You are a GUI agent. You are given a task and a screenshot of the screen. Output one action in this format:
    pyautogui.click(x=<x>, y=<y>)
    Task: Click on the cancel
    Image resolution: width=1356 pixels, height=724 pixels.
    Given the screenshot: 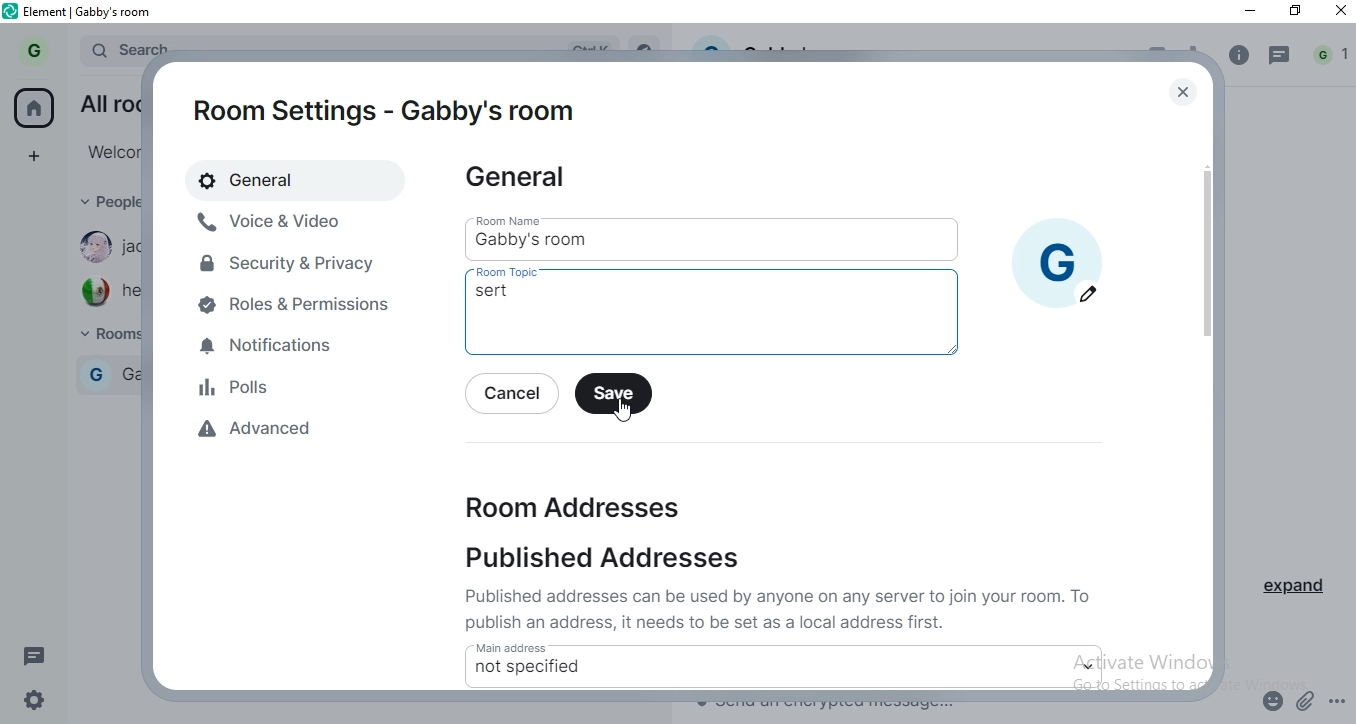 What is the action you would take?
    pyautogui.click(x=516, y=392)
    